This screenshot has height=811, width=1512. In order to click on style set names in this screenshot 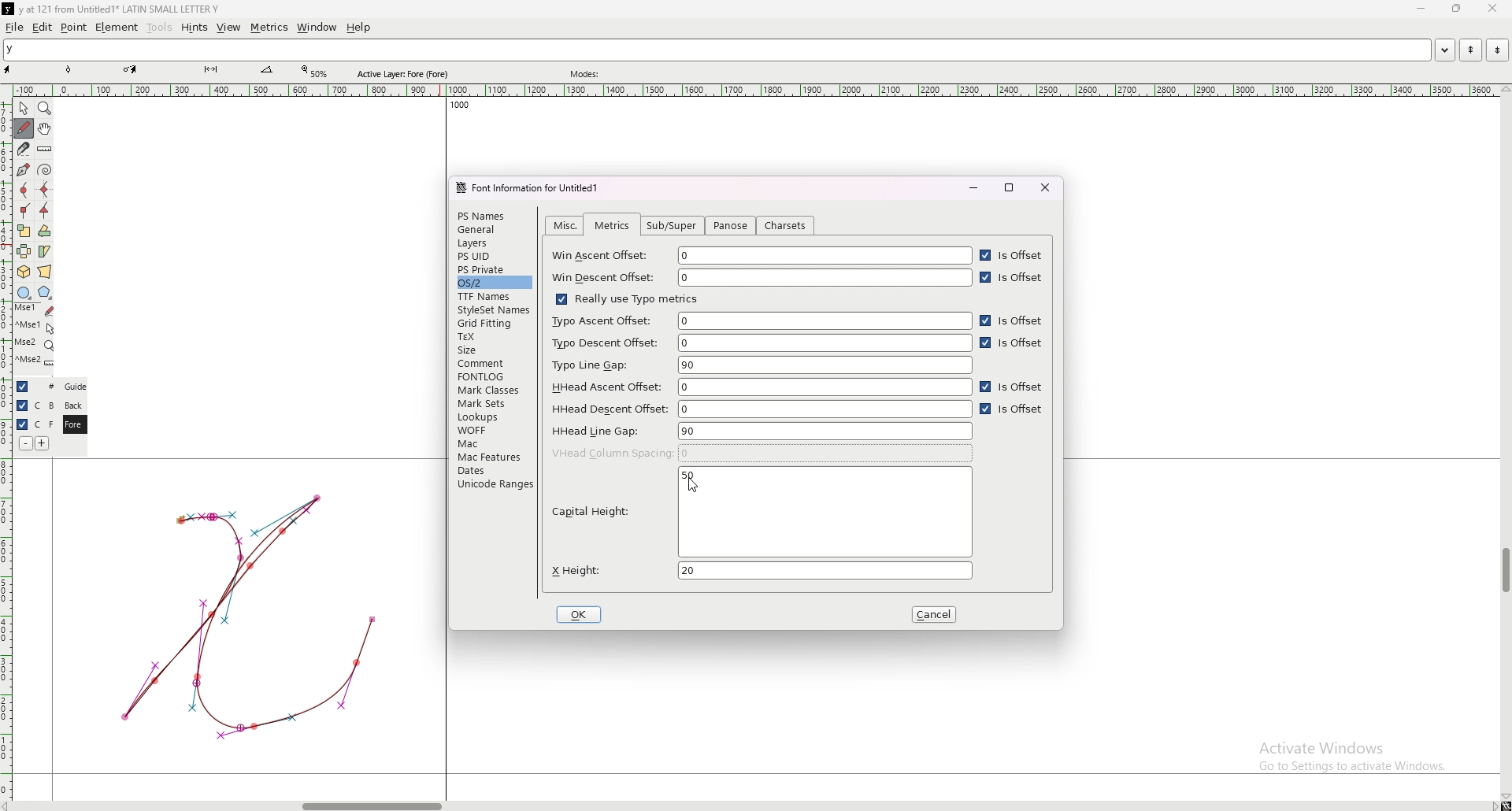, I will do `click(492, 310)`.